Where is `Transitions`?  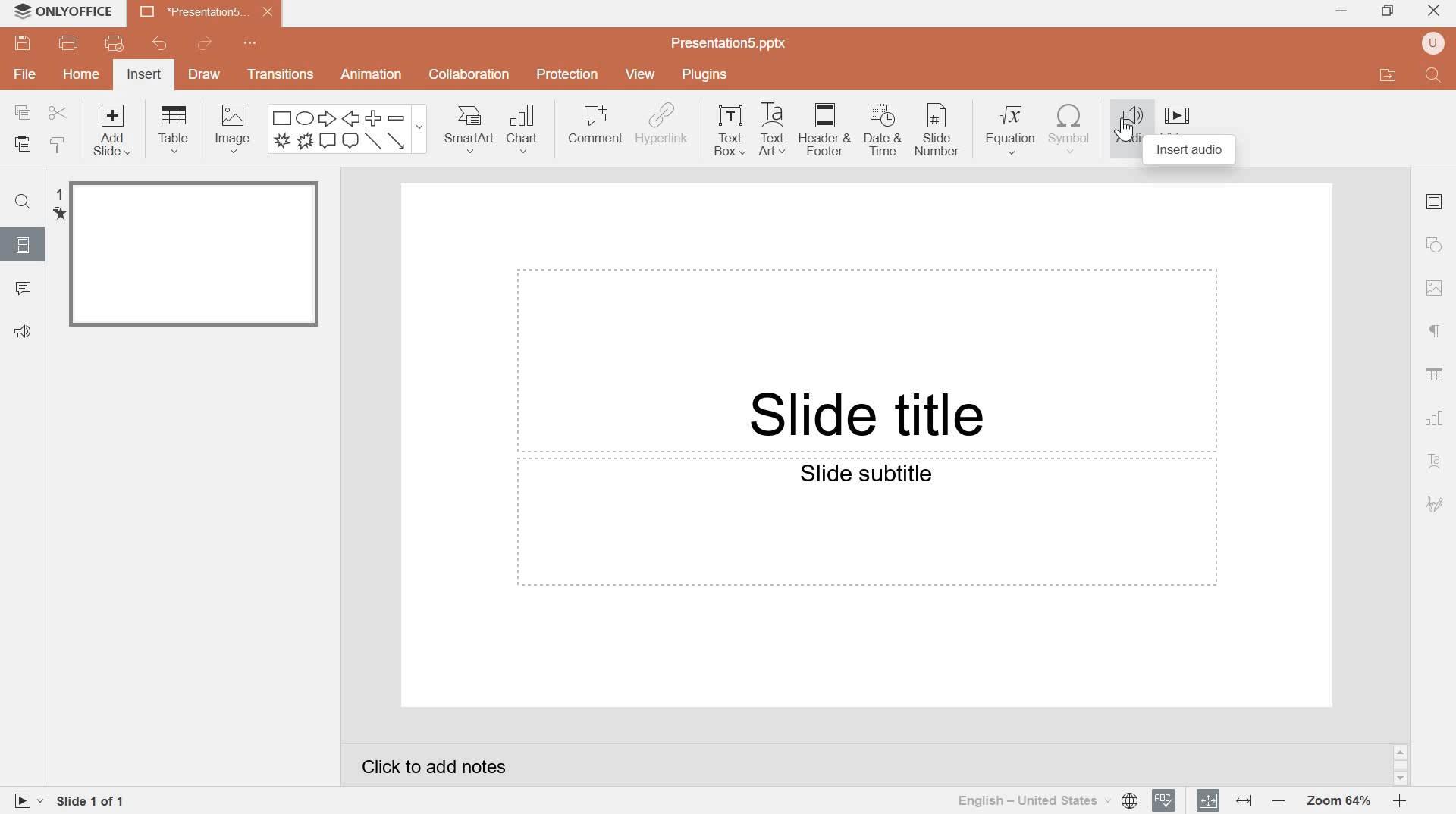
Transitions is located at coordinates (277, 74).